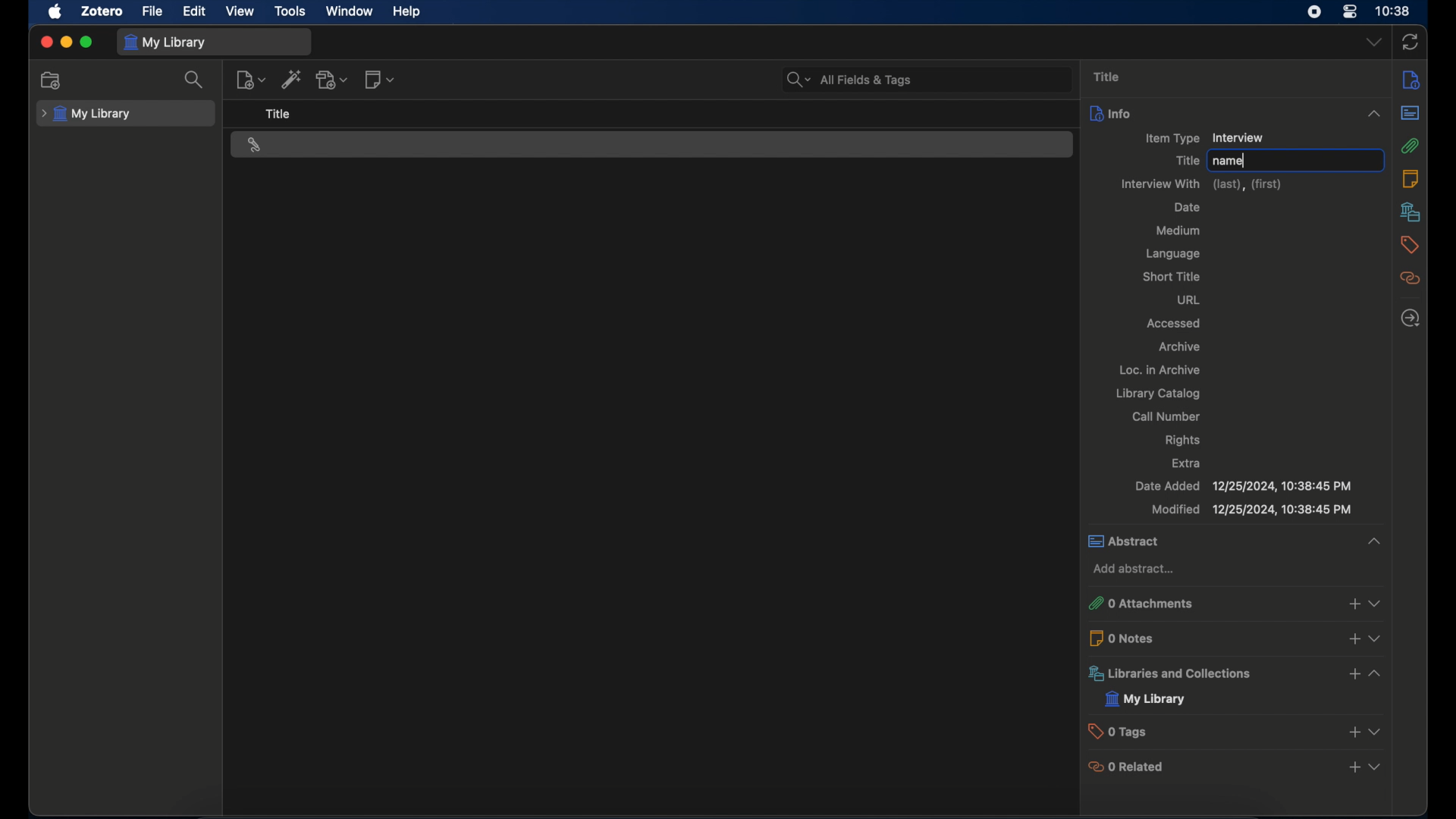 The image size is (1456, 819). I want to click on title, so click(278, 115).